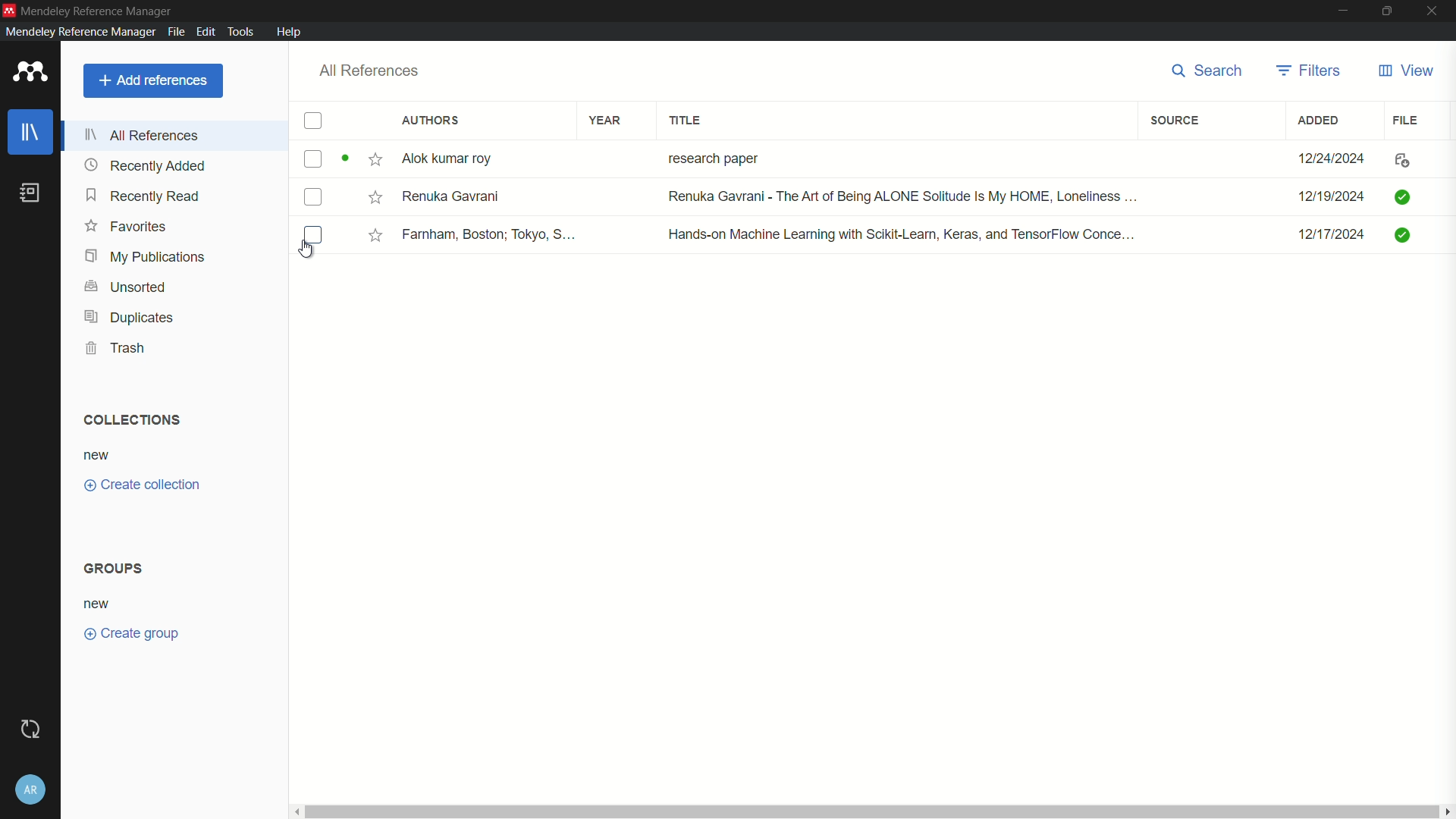  What do you see at coordinates (900, 196) in the screenshot?
I see `Renuka Gavrani - The Art of Being ALONE Solitude is my HOME, Loneliness...` at bounding box center [900, 196].